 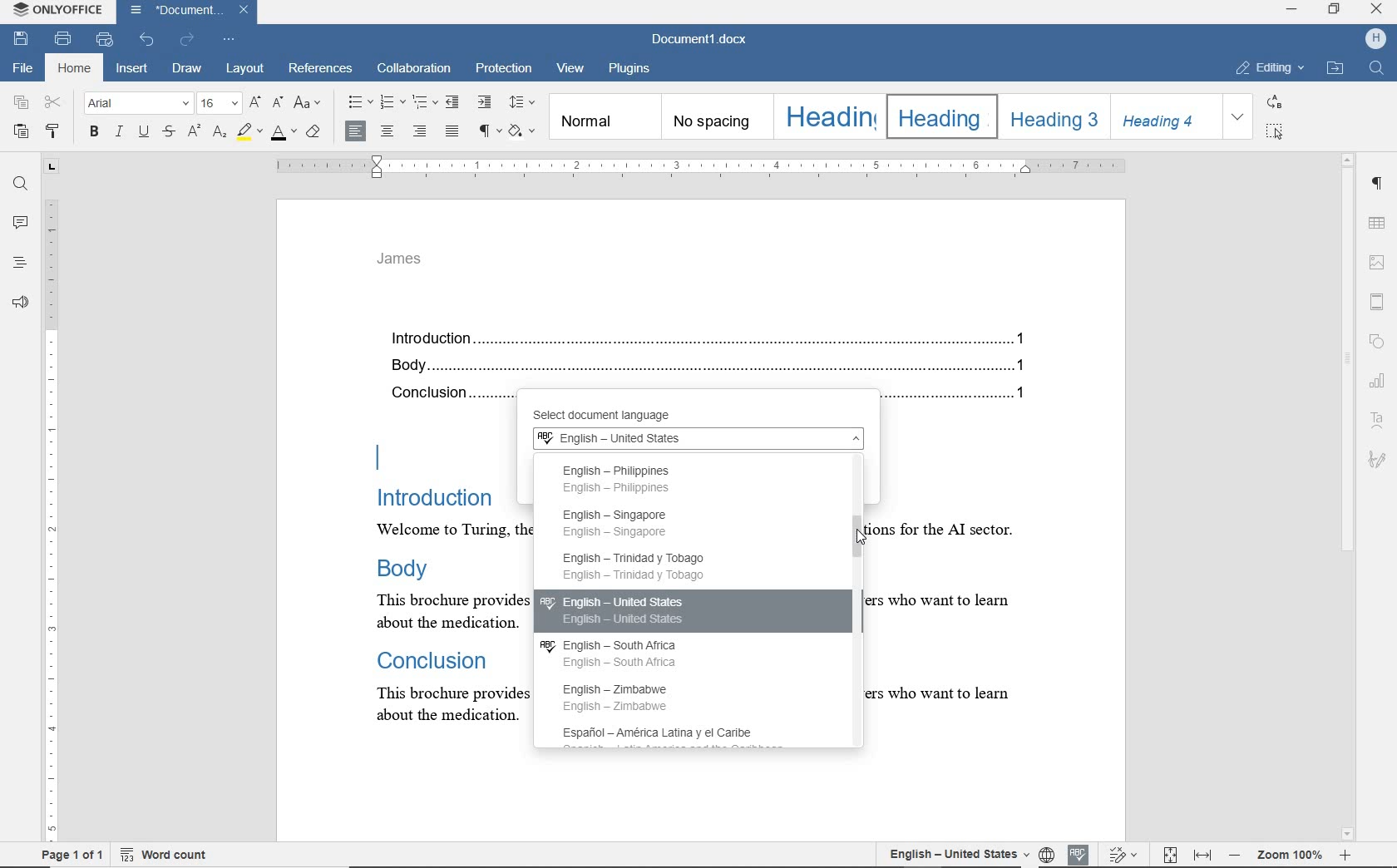 What do you see at coordinates (139, 104) in the screenshot?
I see `font` at bounding box center [139, 104].